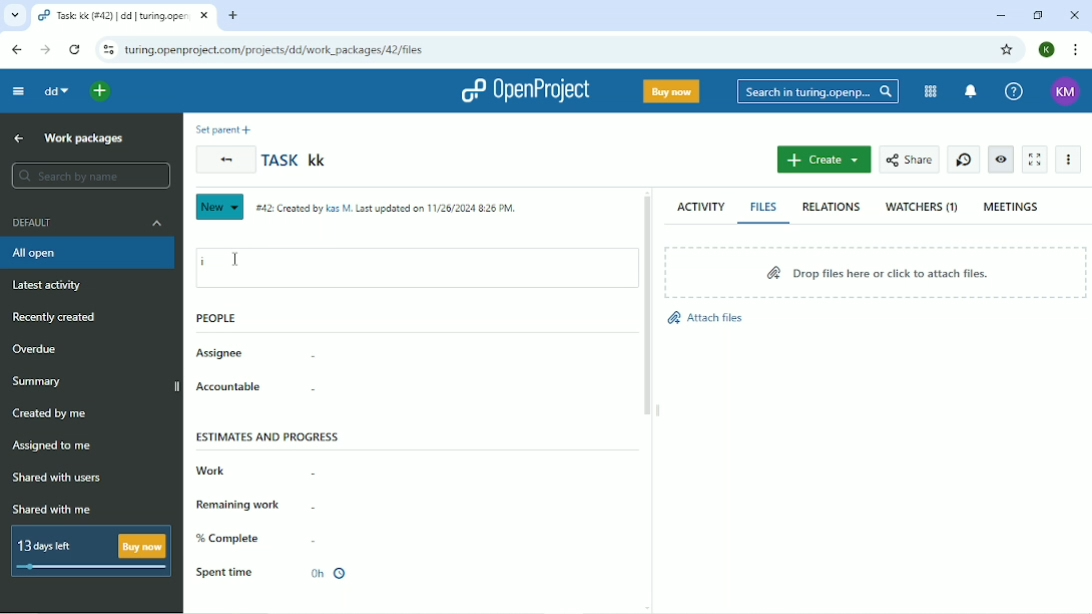 The height and width of the screenshot is (614, 1092). What do you see at coordinates (873, 271) in the screenshot?
I see `Drop files here or click to attach files` at bounding box center [873, 271].